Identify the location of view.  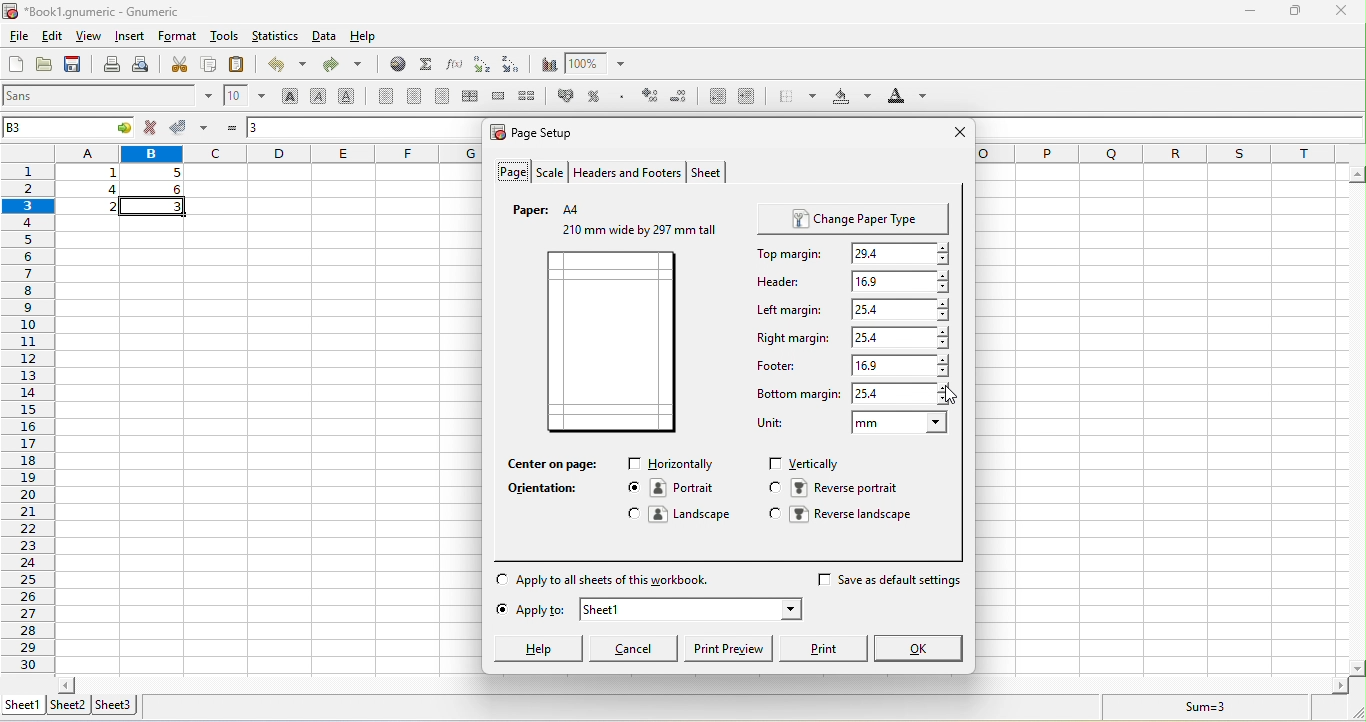
(90, 37).